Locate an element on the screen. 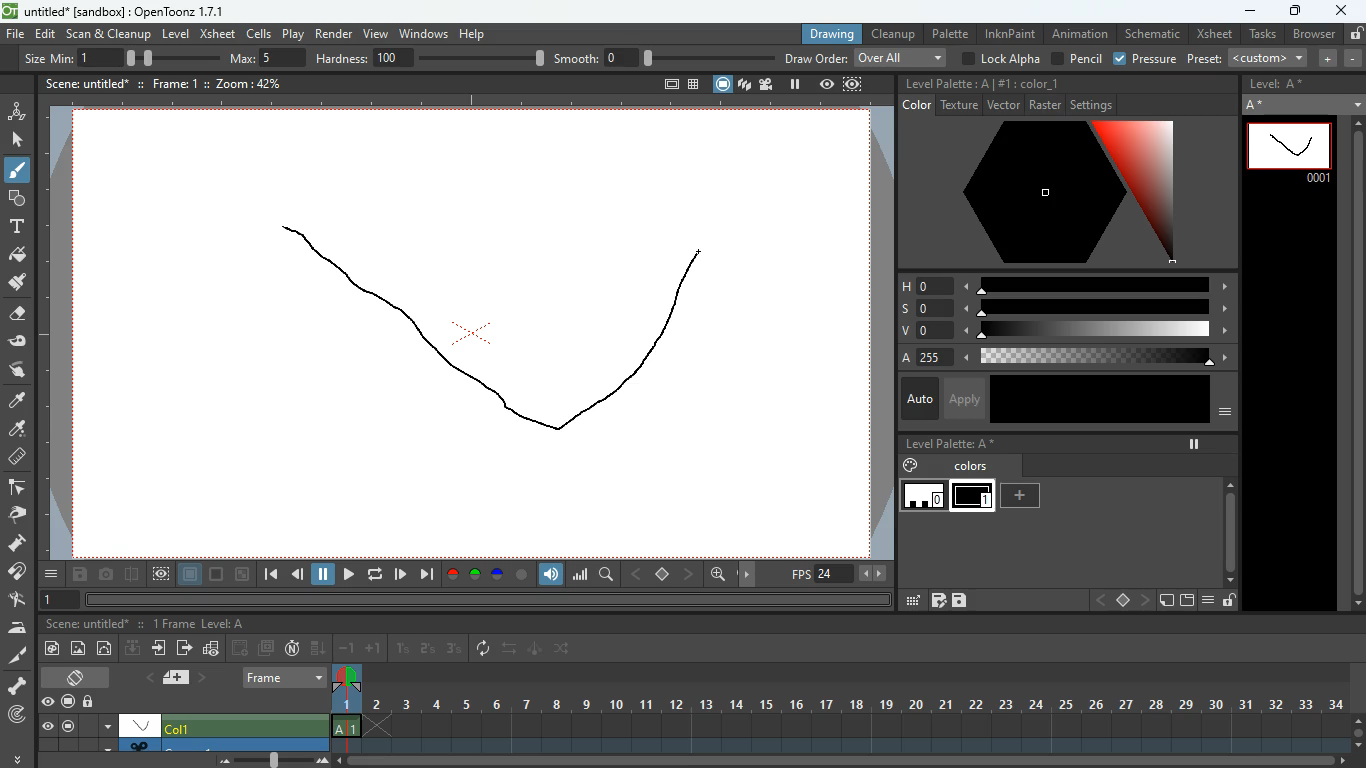 The height and width of the screenshot is (768, 1366). save is located at coordinates (960, 601).